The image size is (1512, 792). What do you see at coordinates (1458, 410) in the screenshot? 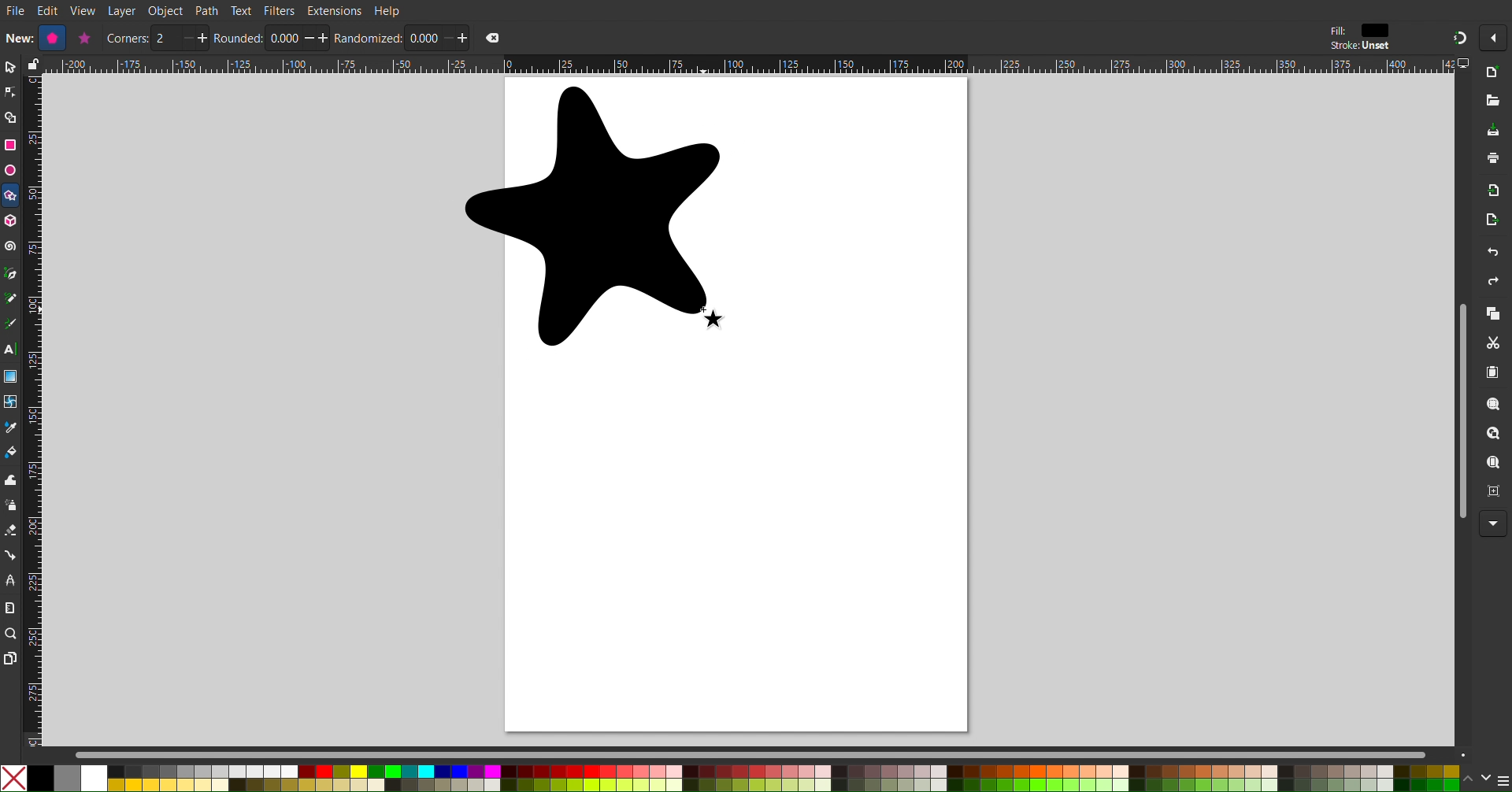
I see `Scrollbar` at bounding box center [1458, 410].